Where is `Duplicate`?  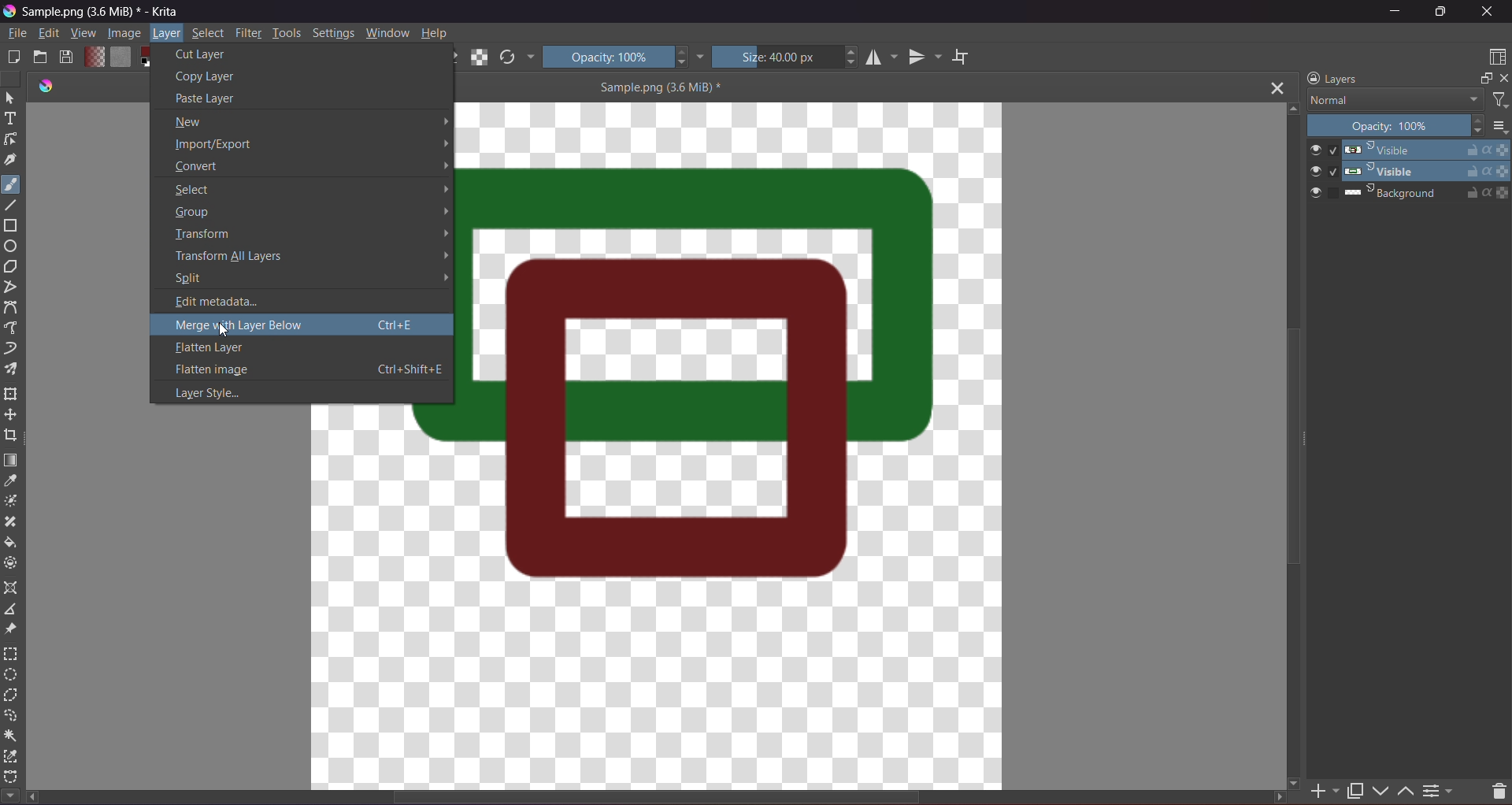 Duplicate is located at coordinates (1354, 788).